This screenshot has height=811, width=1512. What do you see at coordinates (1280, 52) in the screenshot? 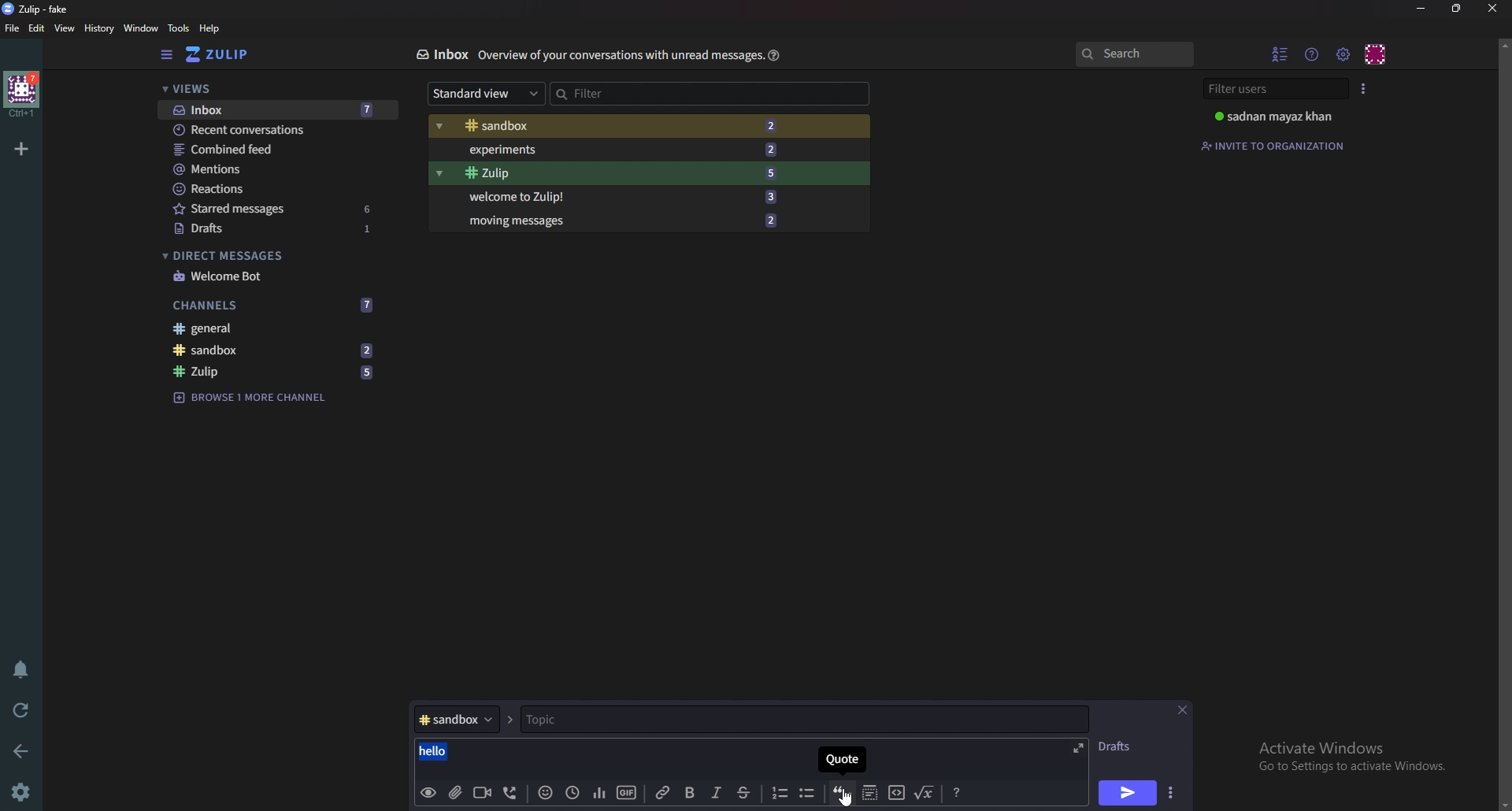
I see `Hide user list` at bounding box center [1280, 52].